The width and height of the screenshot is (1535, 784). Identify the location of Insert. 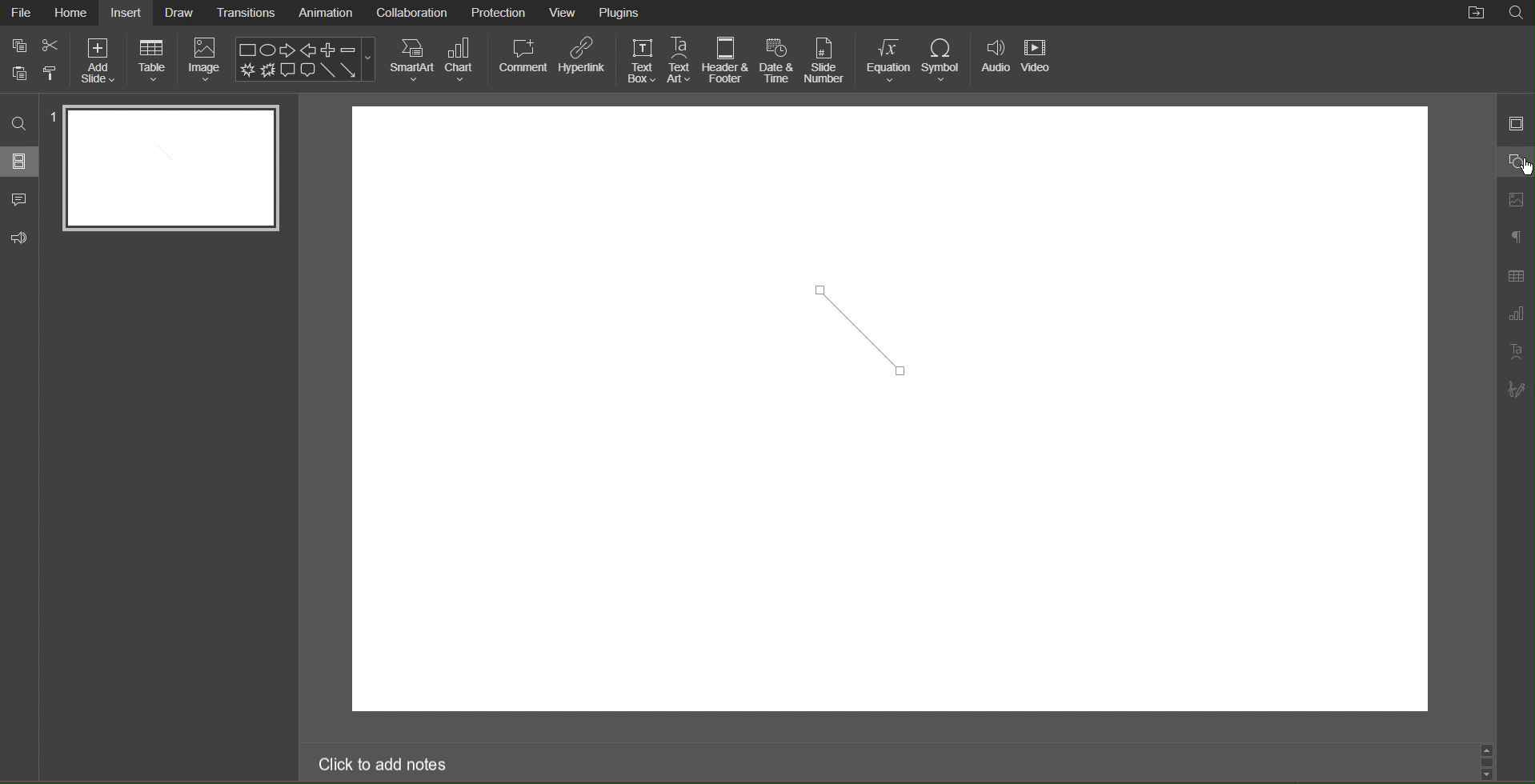
(125, 12).